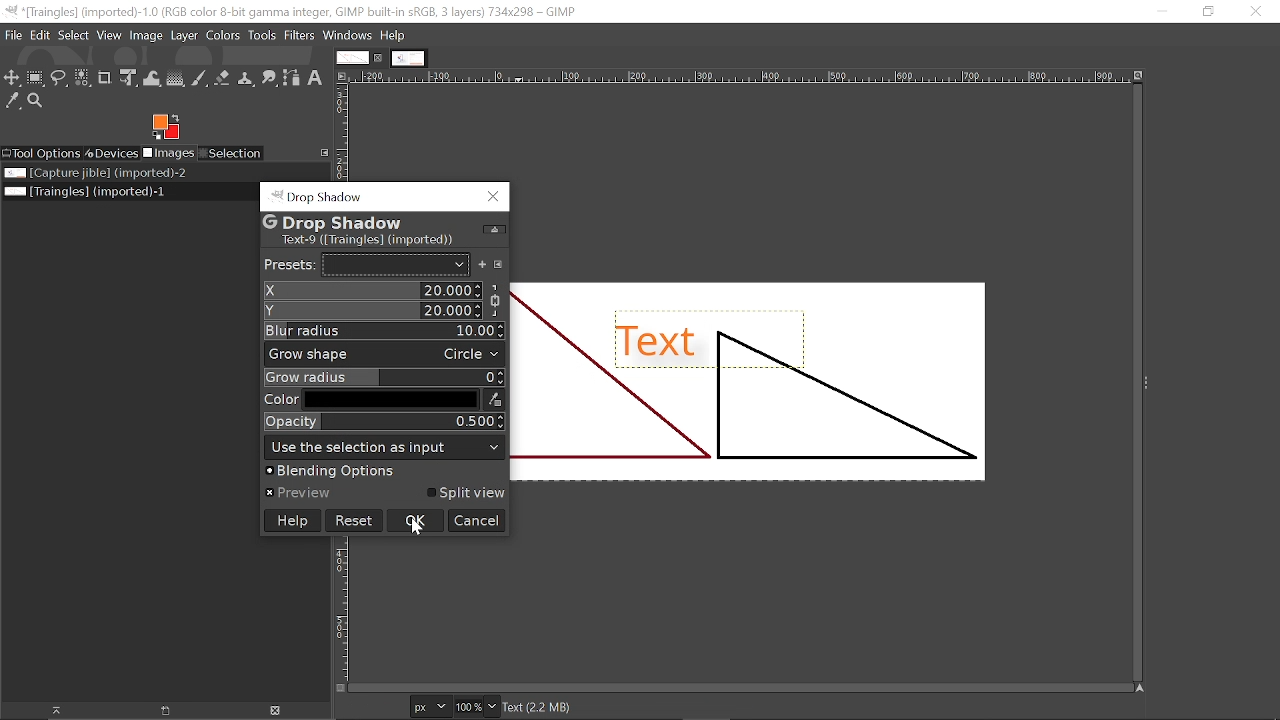 This screenshot has width=1280, height=720. Describe the element at coordinates (1254, 14) in the screenshot. I see `Close` at that location.